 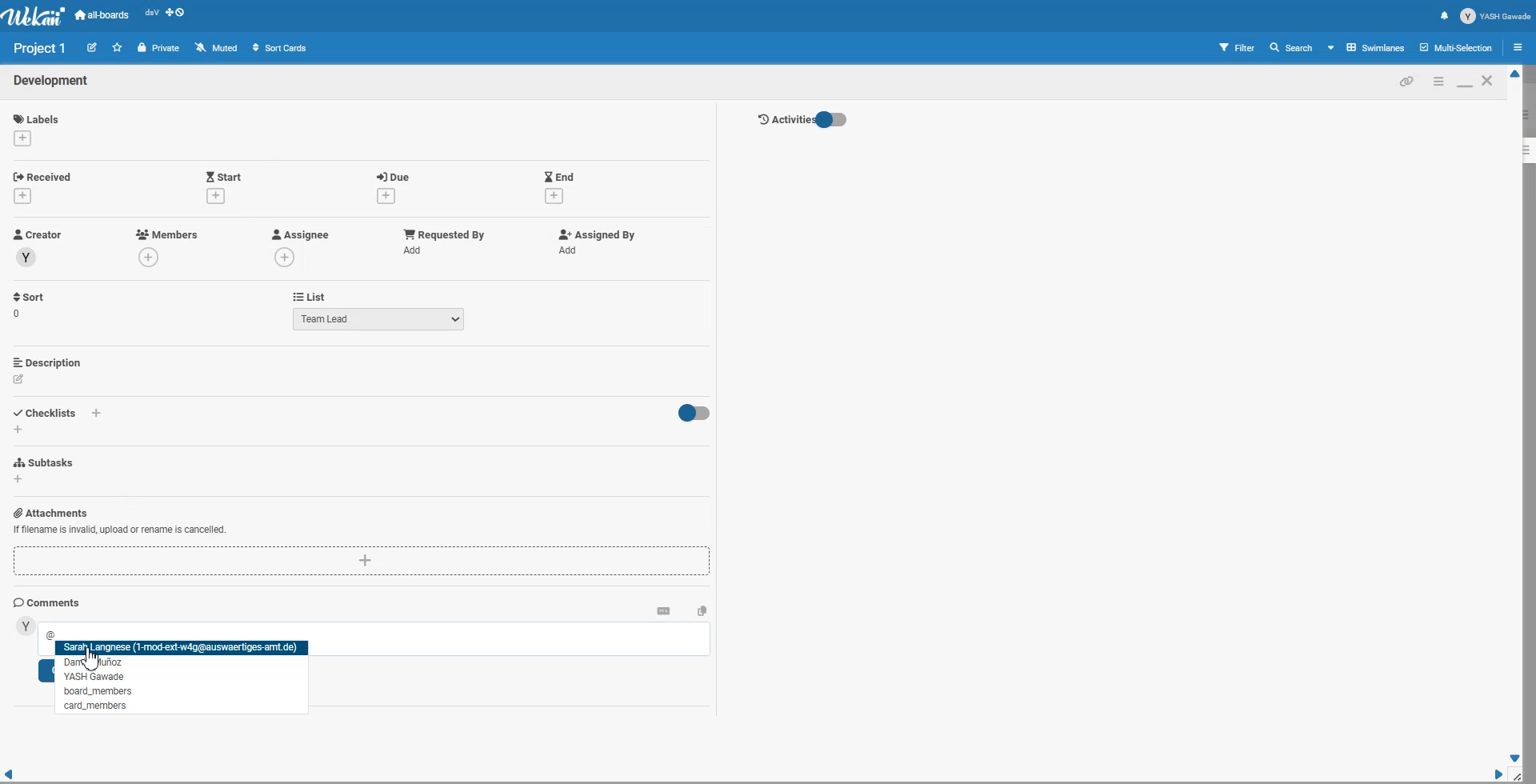 What do you see at coordinates (1489, 80) in the screenshot?
I see `Close` at bounding box center [1489, 80].